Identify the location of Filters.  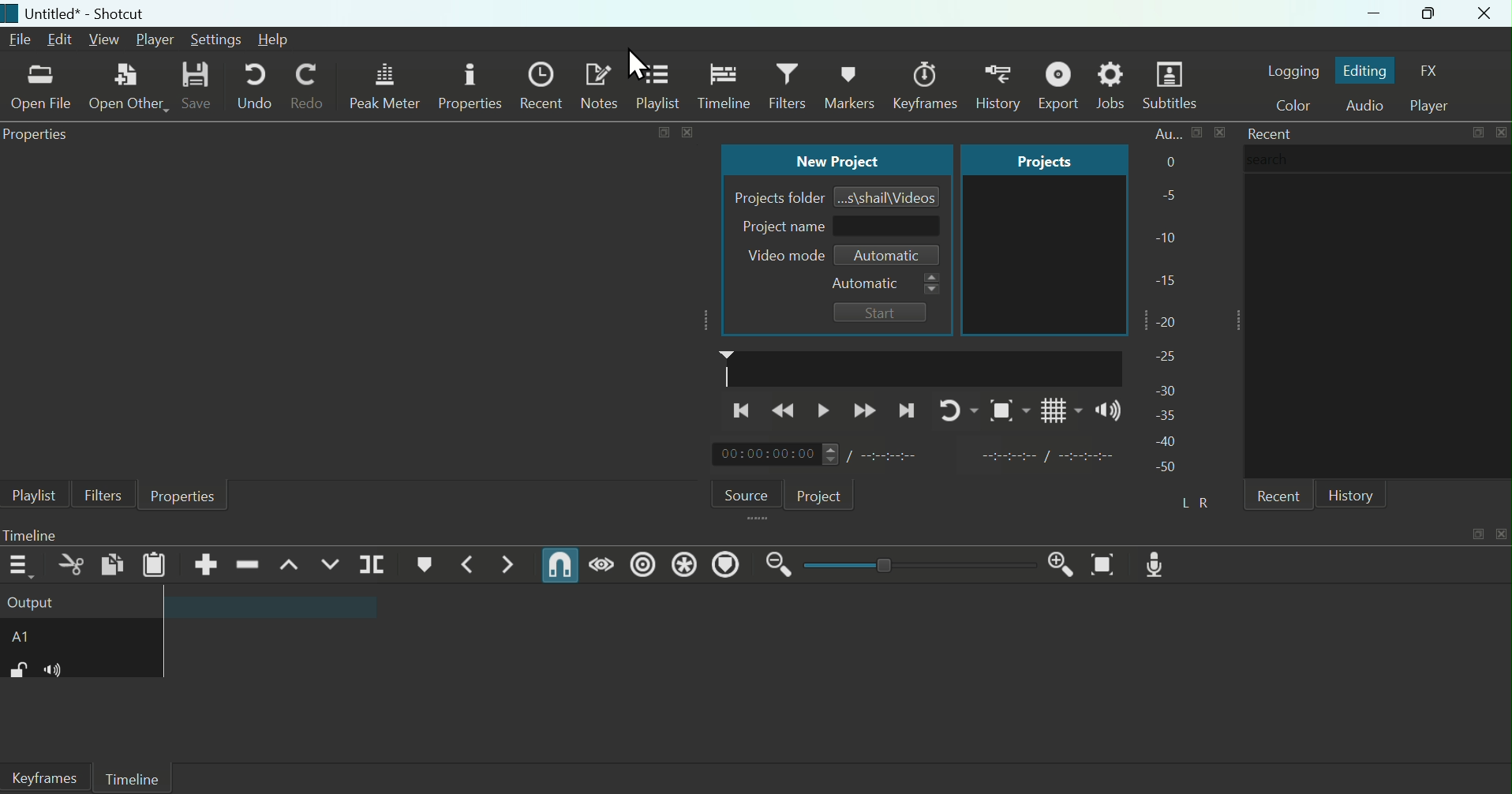
(102, 493).